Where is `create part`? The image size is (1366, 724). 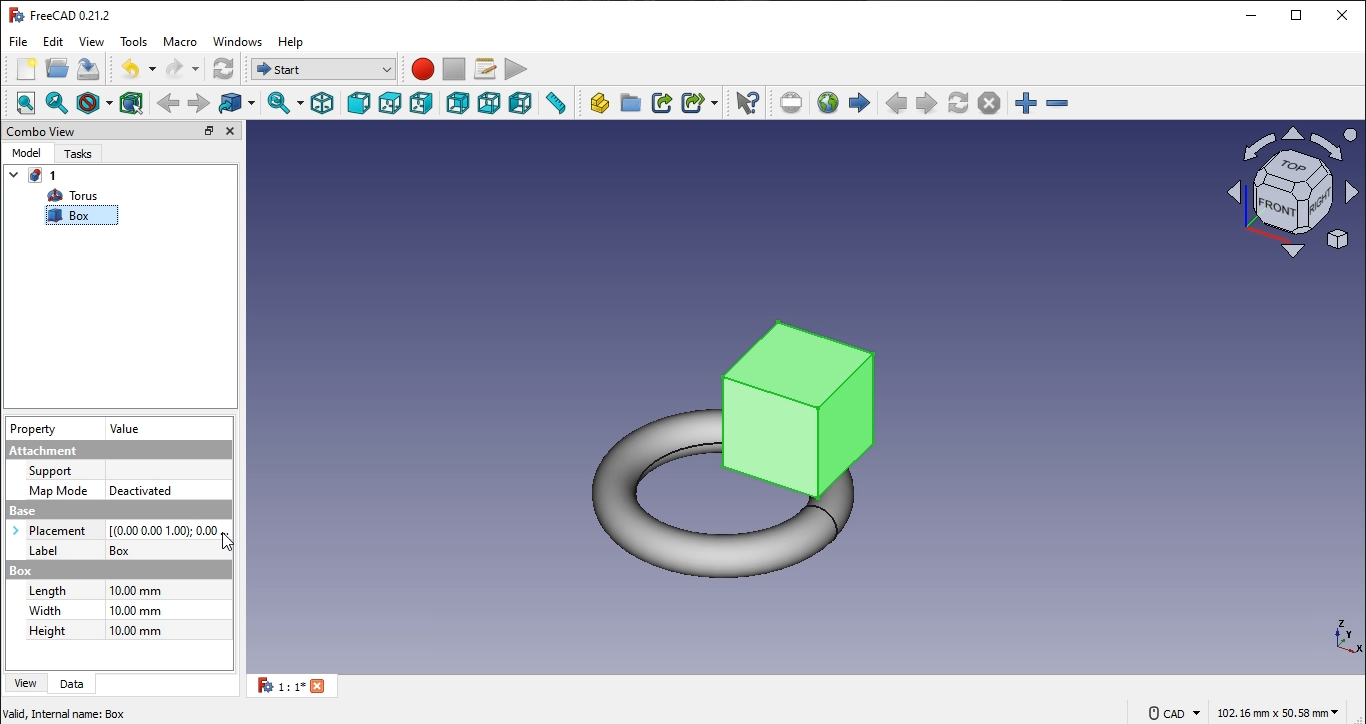 create part is located at coordinates (598, 104).